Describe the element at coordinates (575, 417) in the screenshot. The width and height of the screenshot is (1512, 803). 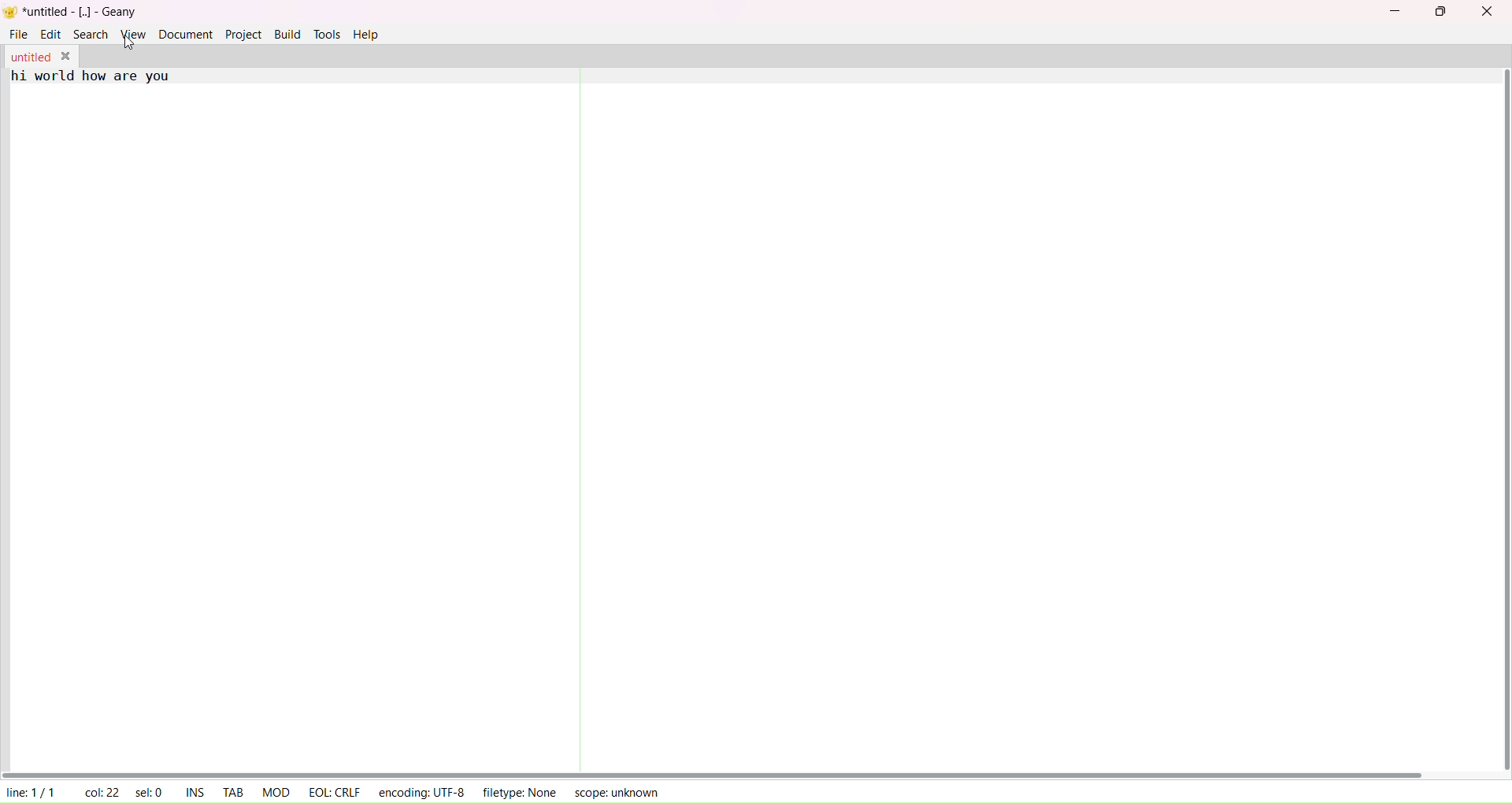
I see `separator` at that location.